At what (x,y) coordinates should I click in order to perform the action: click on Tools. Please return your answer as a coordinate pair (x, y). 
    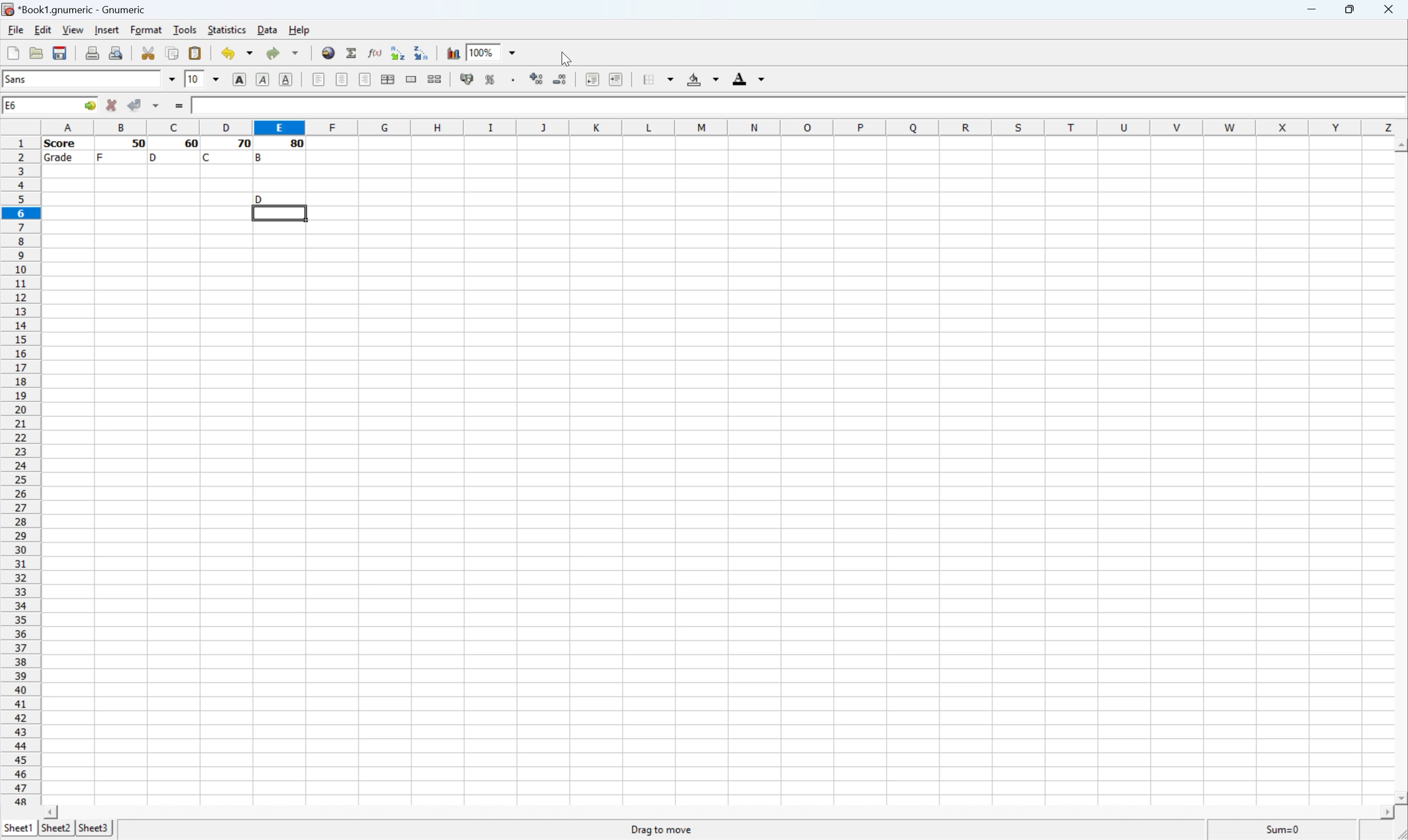
    Looking at the image, I should click on (184, 28).